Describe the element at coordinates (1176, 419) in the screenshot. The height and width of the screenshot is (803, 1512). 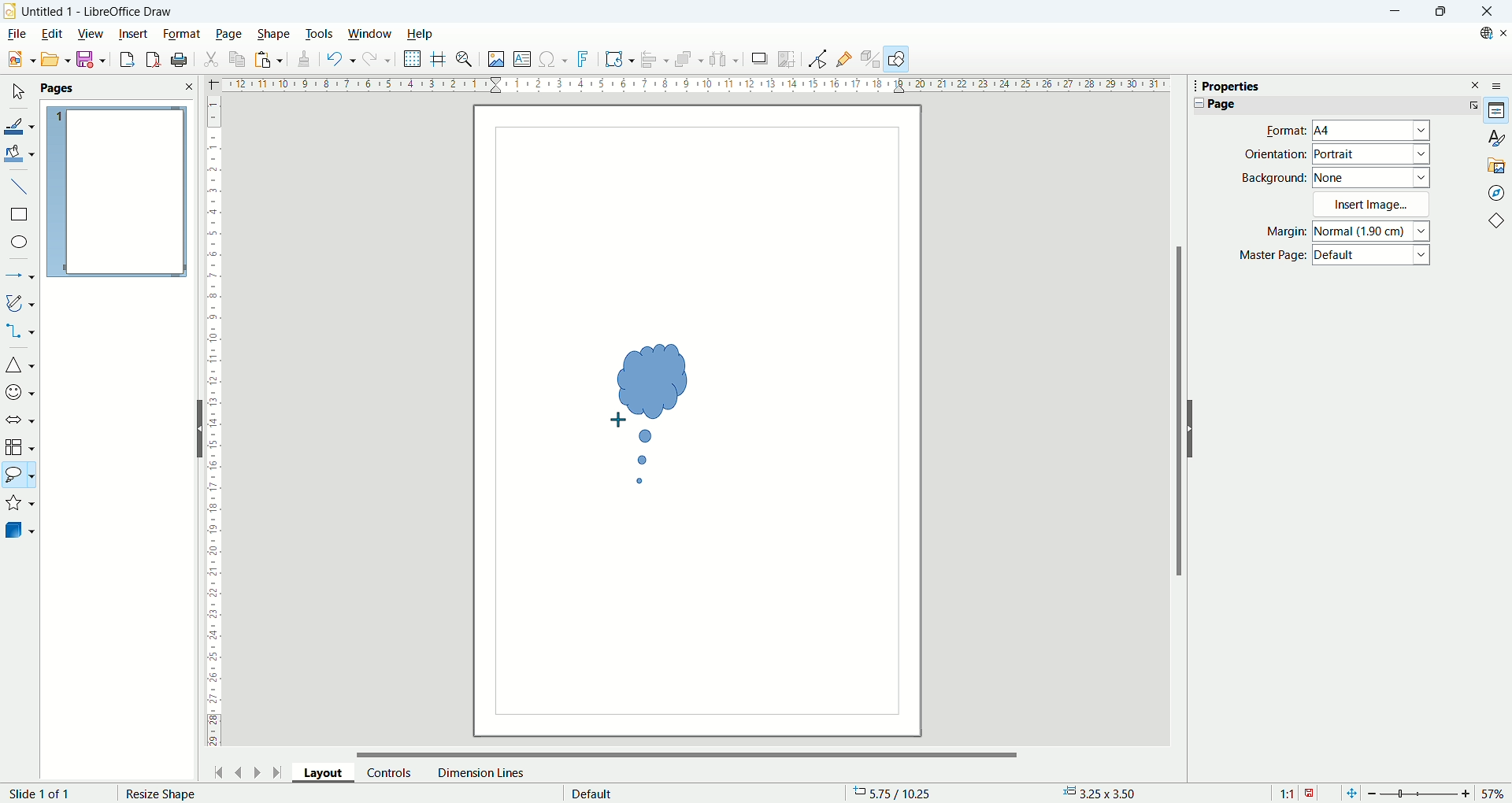
I see `Vertival scroll bar` at that location.